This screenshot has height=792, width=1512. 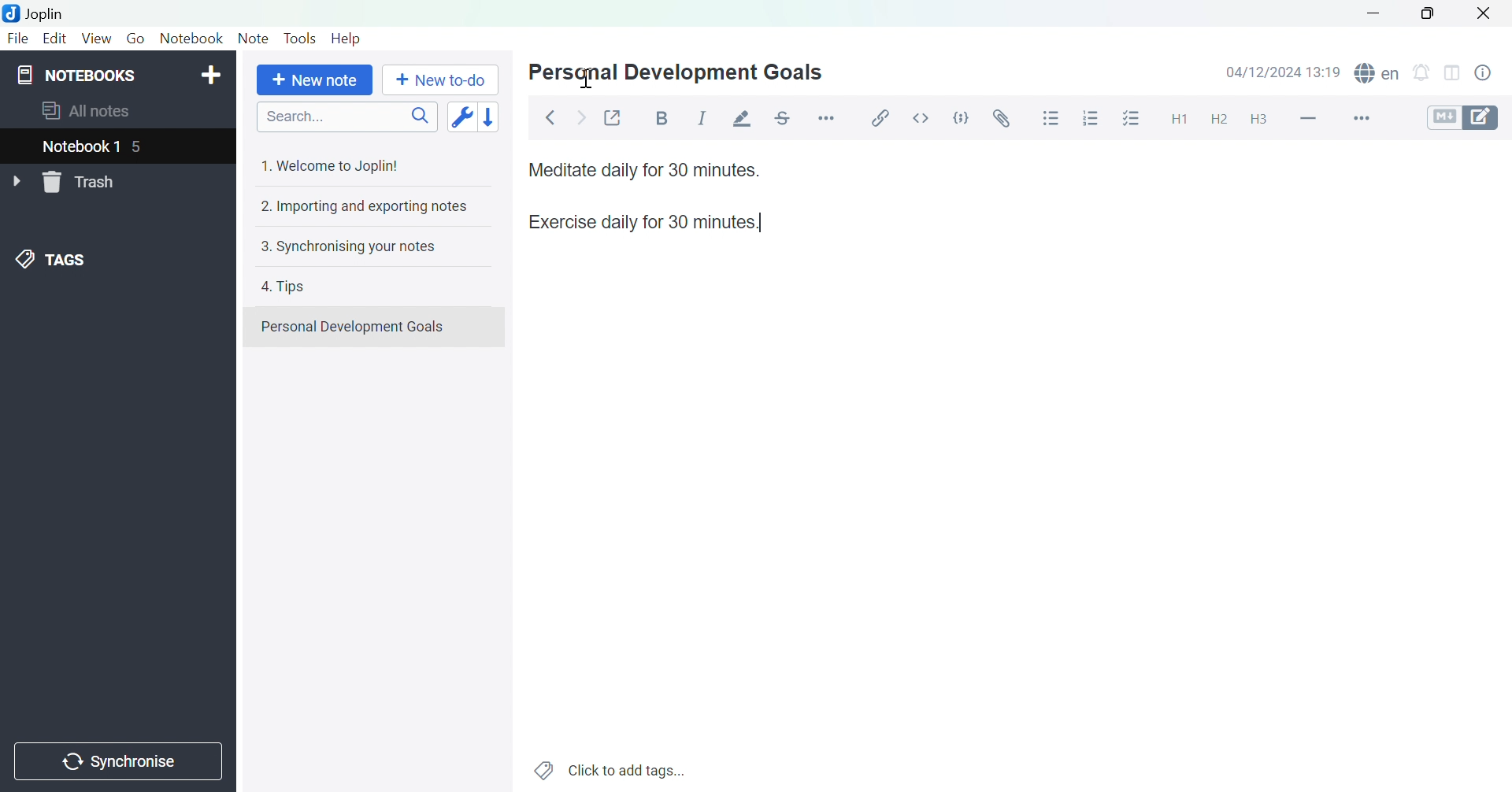 I want to click on 1. Welcome to Joplin!, so click(x=336, y=165).